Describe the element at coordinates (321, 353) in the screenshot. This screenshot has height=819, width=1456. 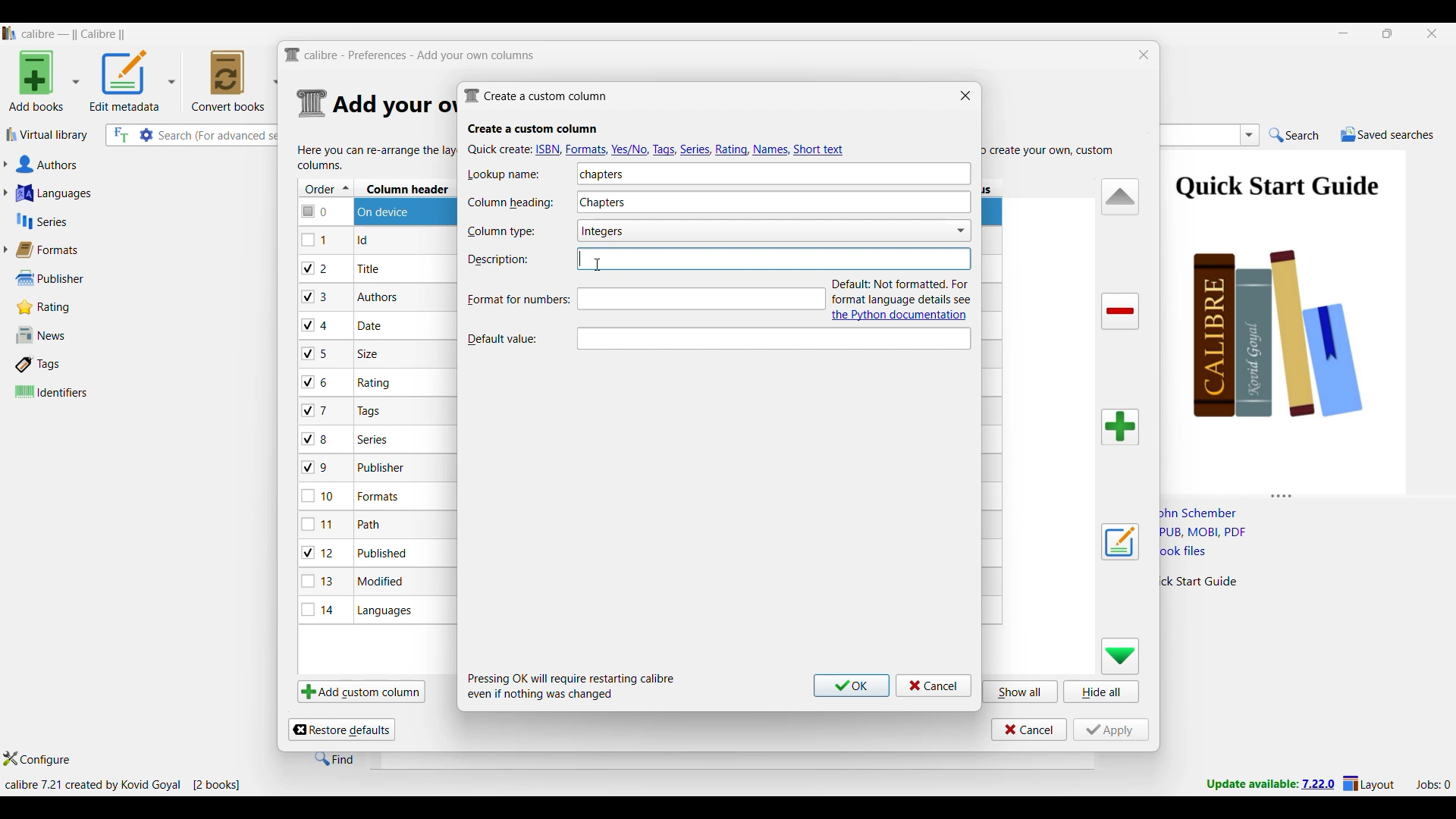
I see `checkbox - 5` at that location.